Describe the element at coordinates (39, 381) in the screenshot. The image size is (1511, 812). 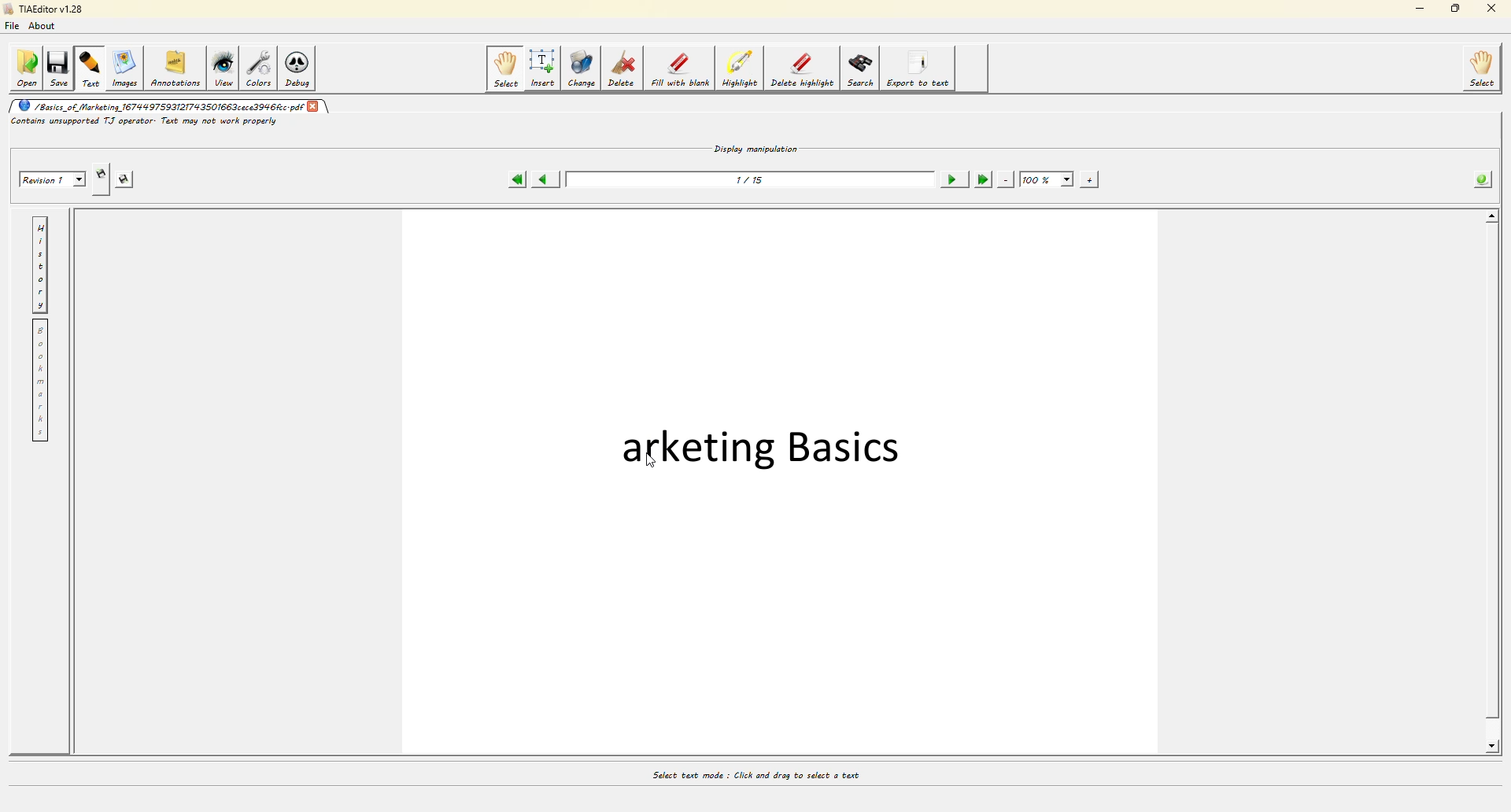
I see `bookmarks` at that location.